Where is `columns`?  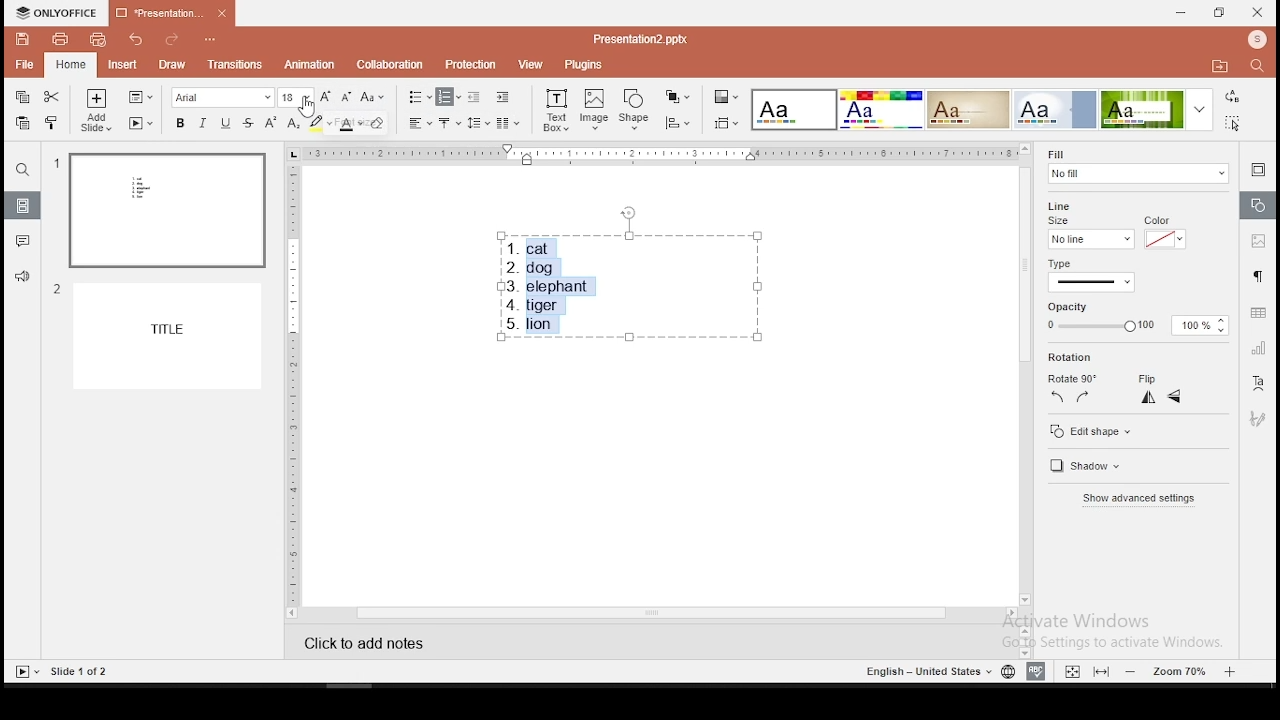 columns is located at coordinates (506, 122).